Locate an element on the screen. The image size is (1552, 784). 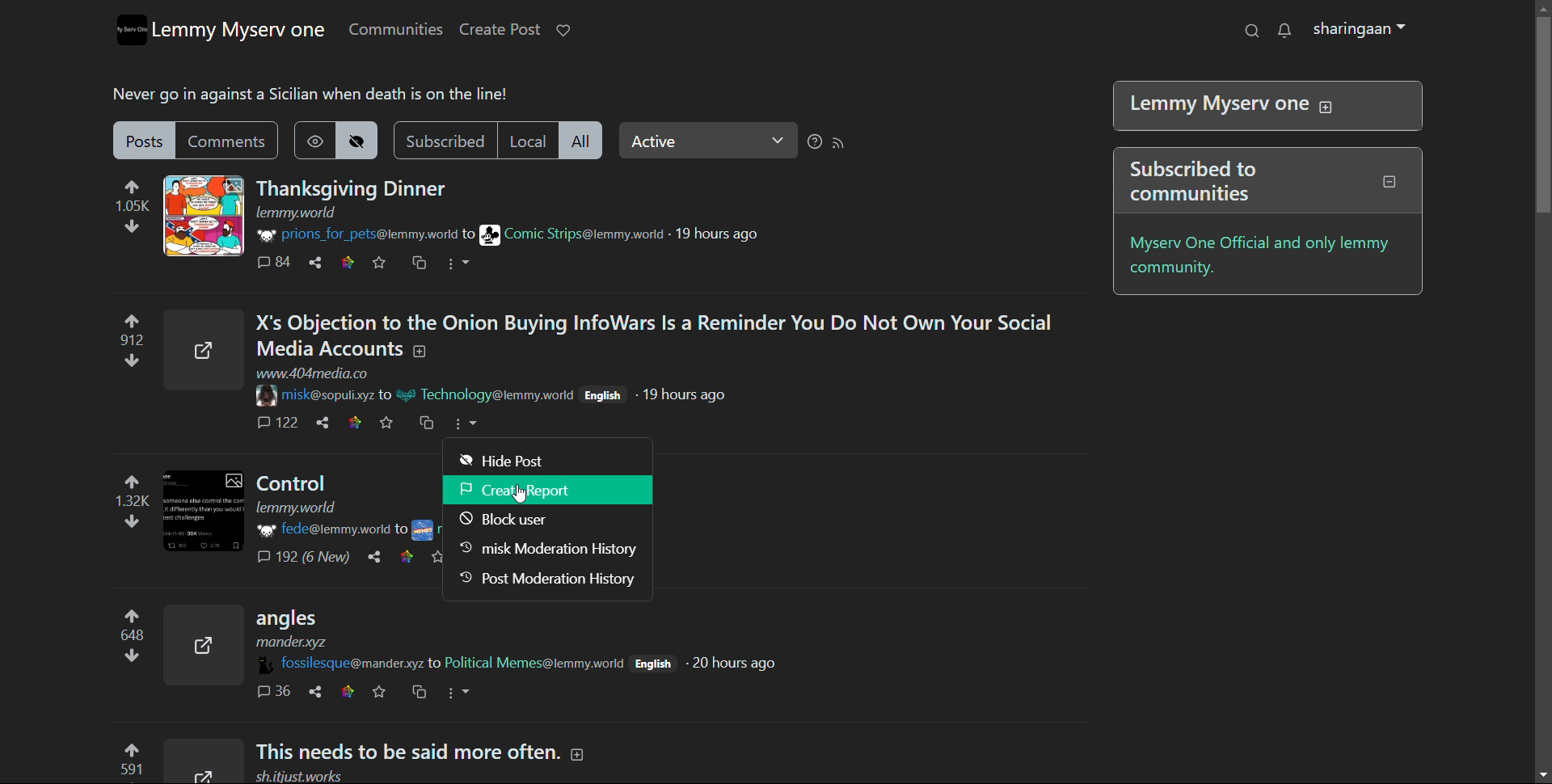
hide post is located at coordinates (546, 462).